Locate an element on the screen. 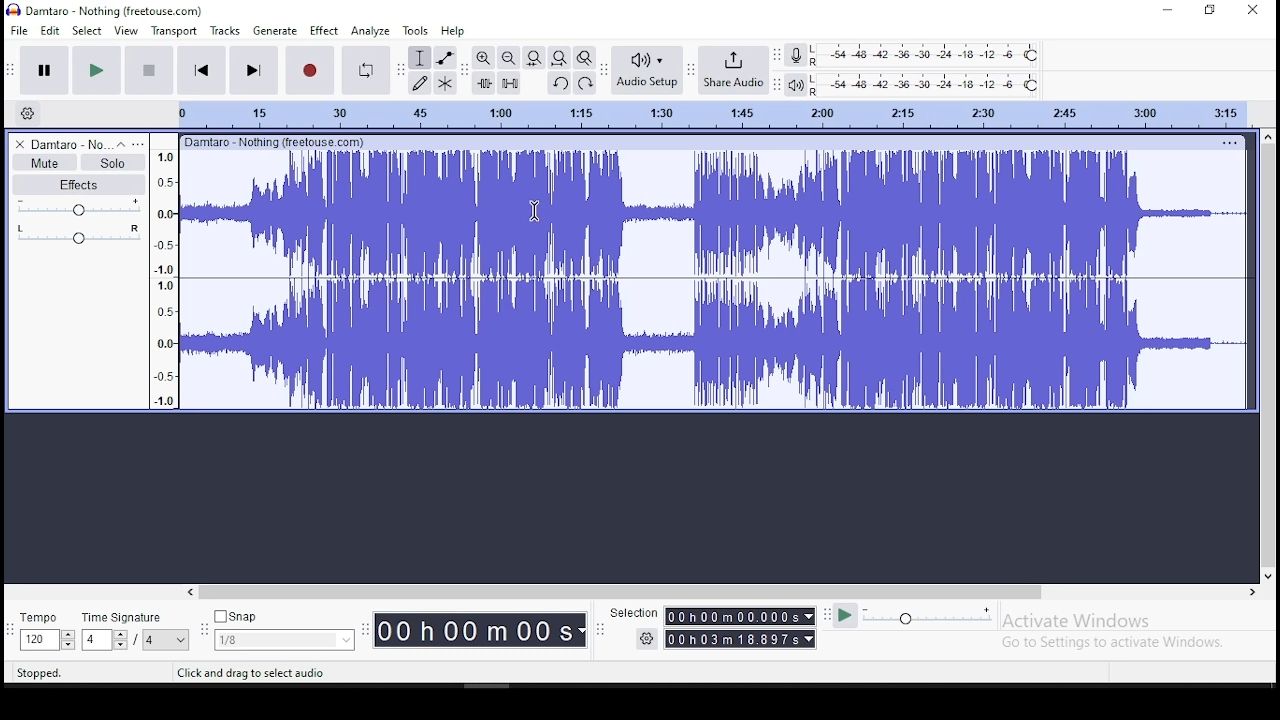 Image resolution: width=1280 pixels, height=720 pixels. redo is located at coordinates (586, 83).